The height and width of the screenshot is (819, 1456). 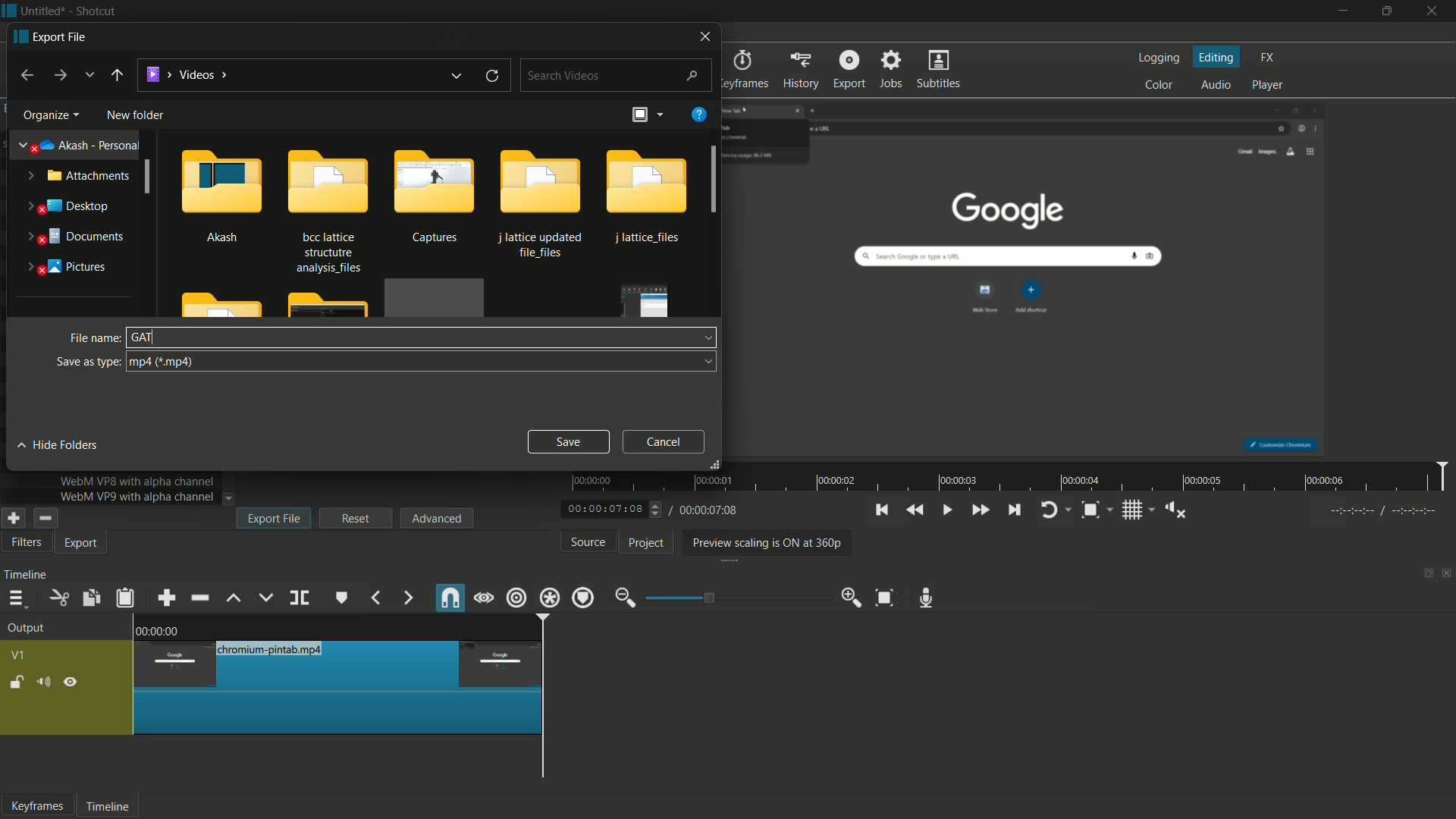 What do you see at coordinates (275, 518) in the screenshot?
I see `export file` at bounding box center [275, 518].